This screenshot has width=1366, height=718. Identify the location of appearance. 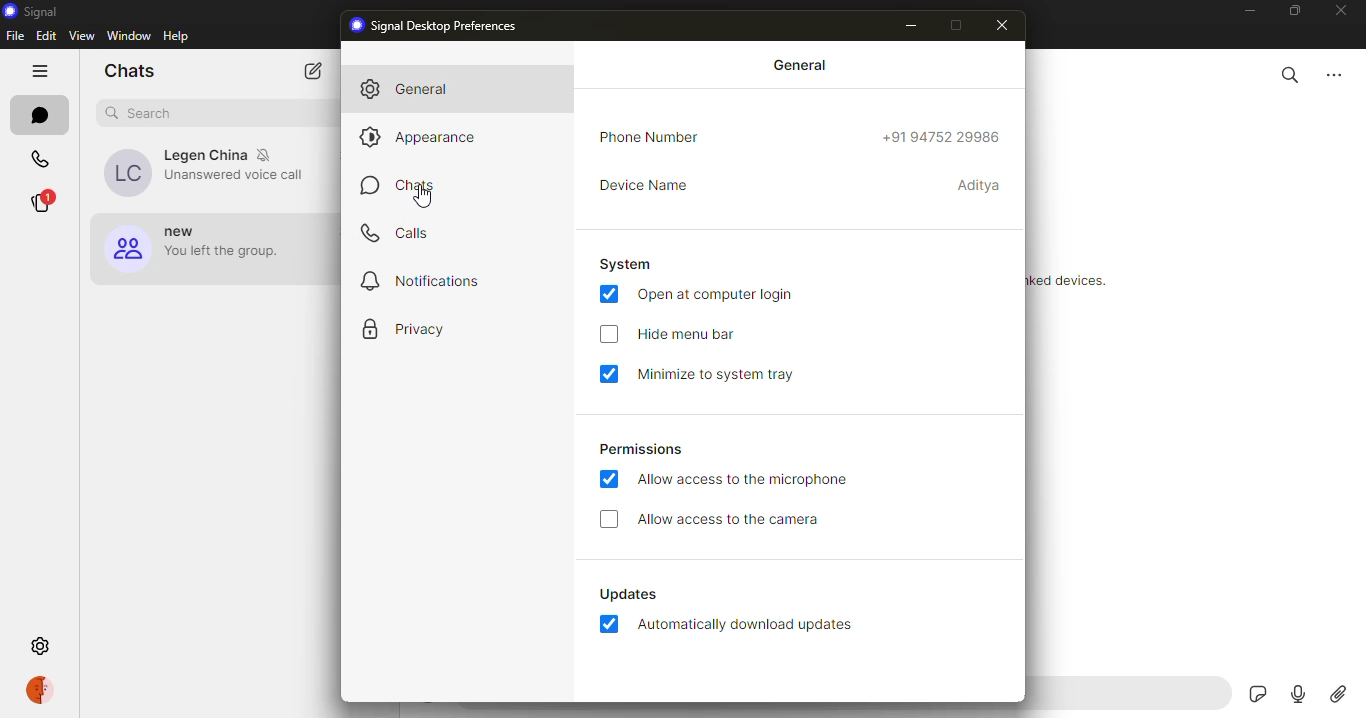
(423, 135).